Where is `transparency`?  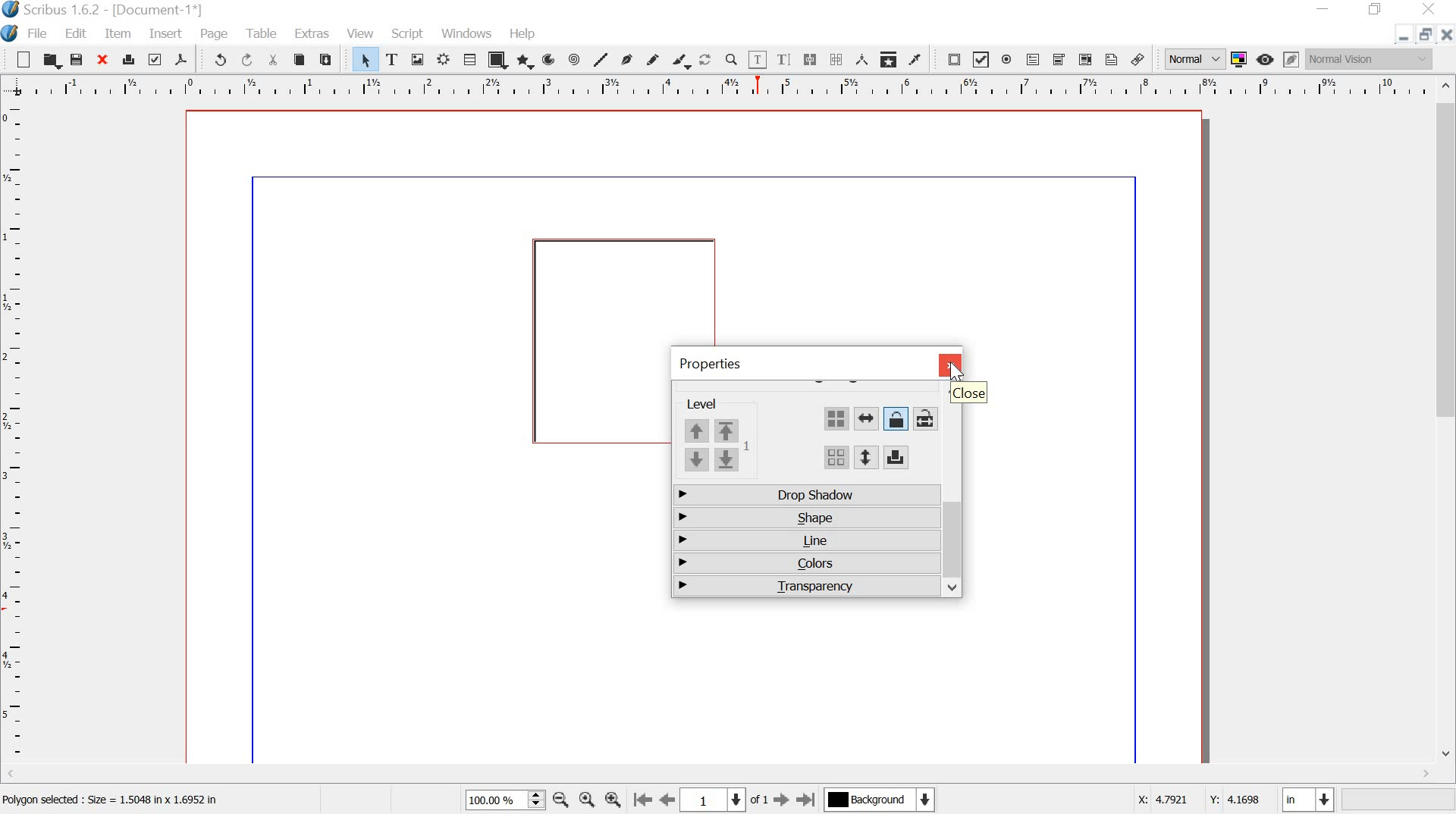
transparency is located at coordinates (805, 585).